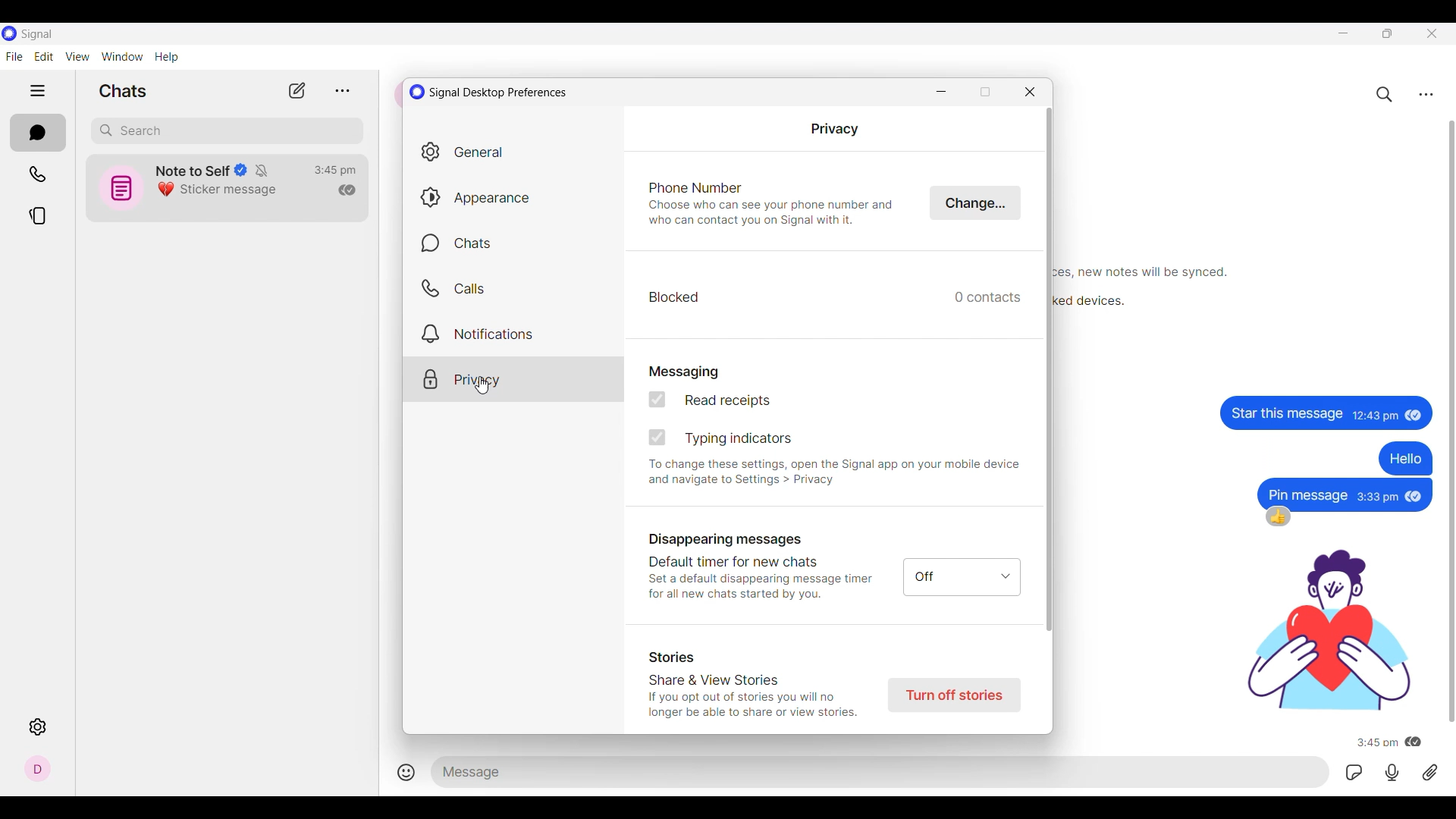 Image resolution: width=1456 pixels, height=819 pixels. I want to click on Appearance settings, so click(514, 197).